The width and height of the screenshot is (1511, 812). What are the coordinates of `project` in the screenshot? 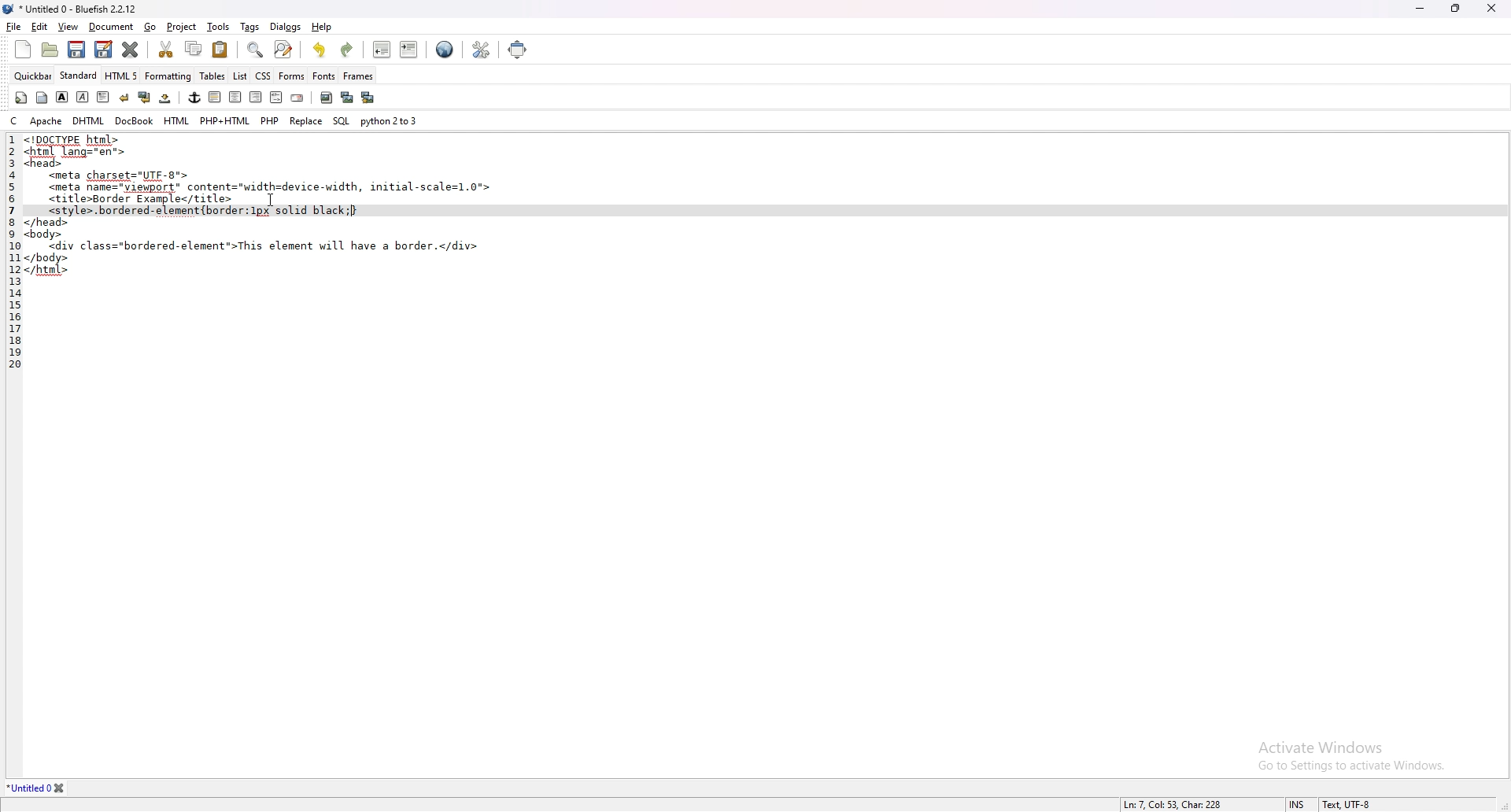 It's located at (183, 28).